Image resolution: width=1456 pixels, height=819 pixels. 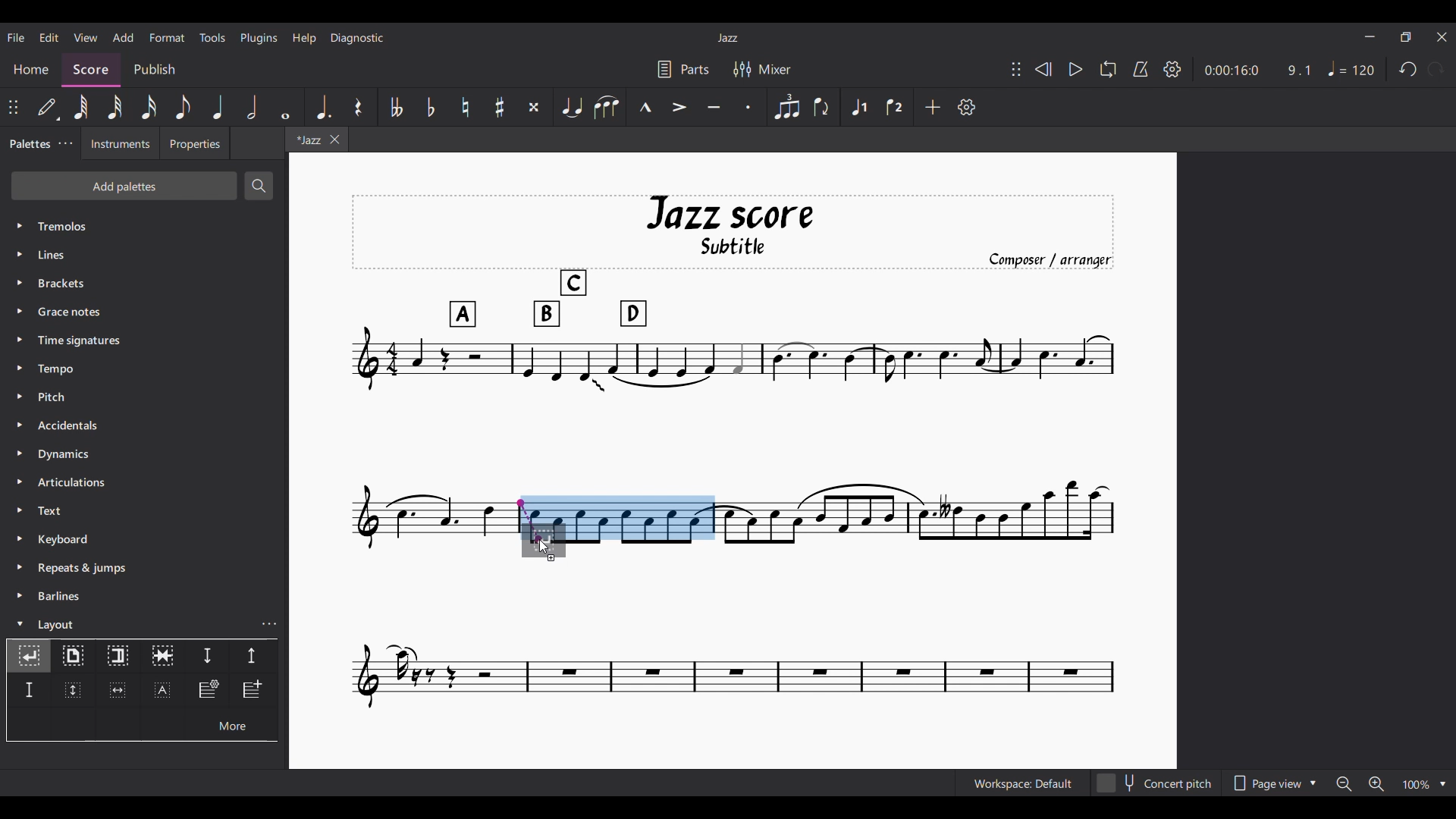 I want to click on Add, so click(x=932, y=107).